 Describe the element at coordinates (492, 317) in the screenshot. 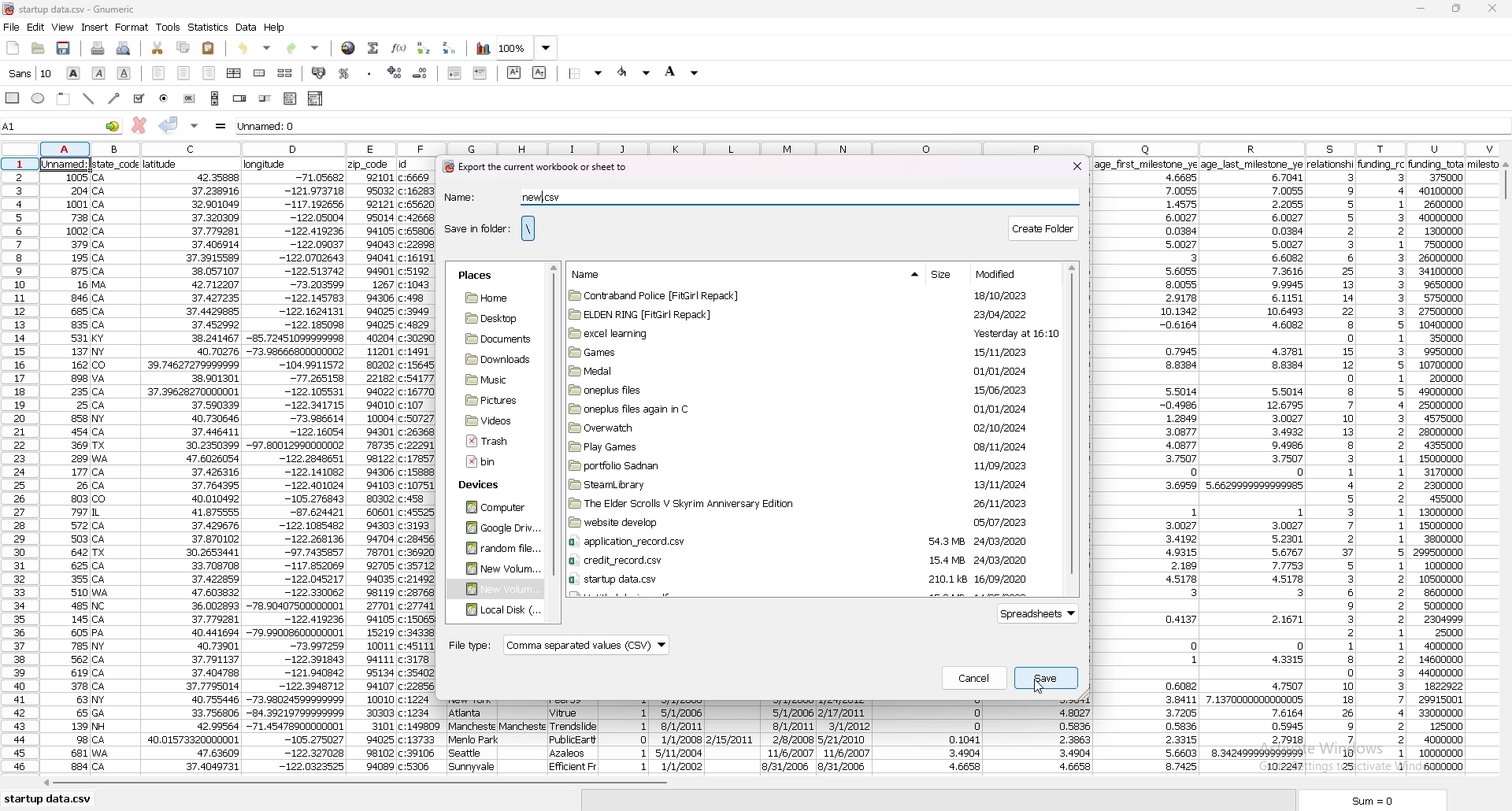

I see `folder` at that location.